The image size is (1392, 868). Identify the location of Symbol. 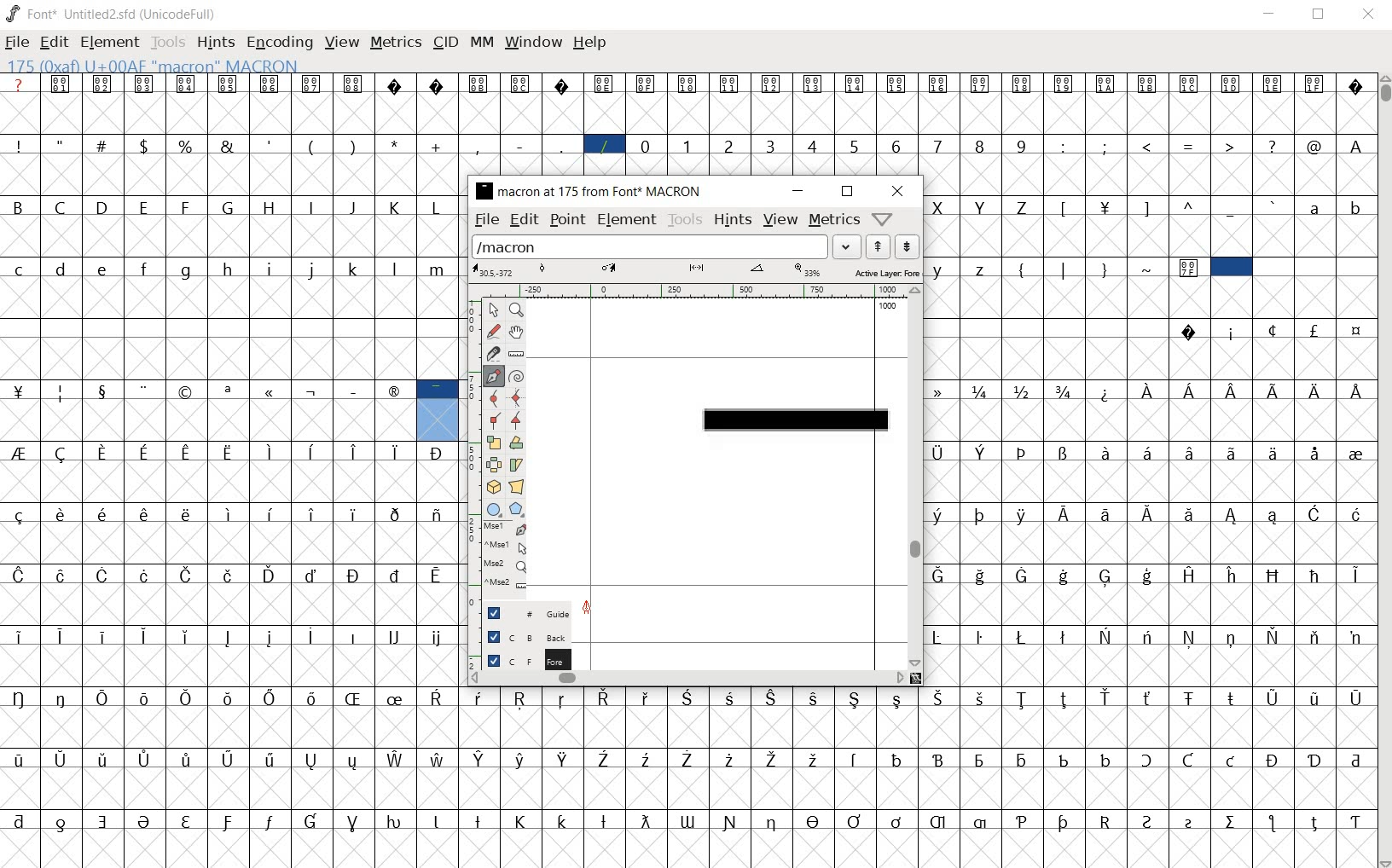
(1150, 698).